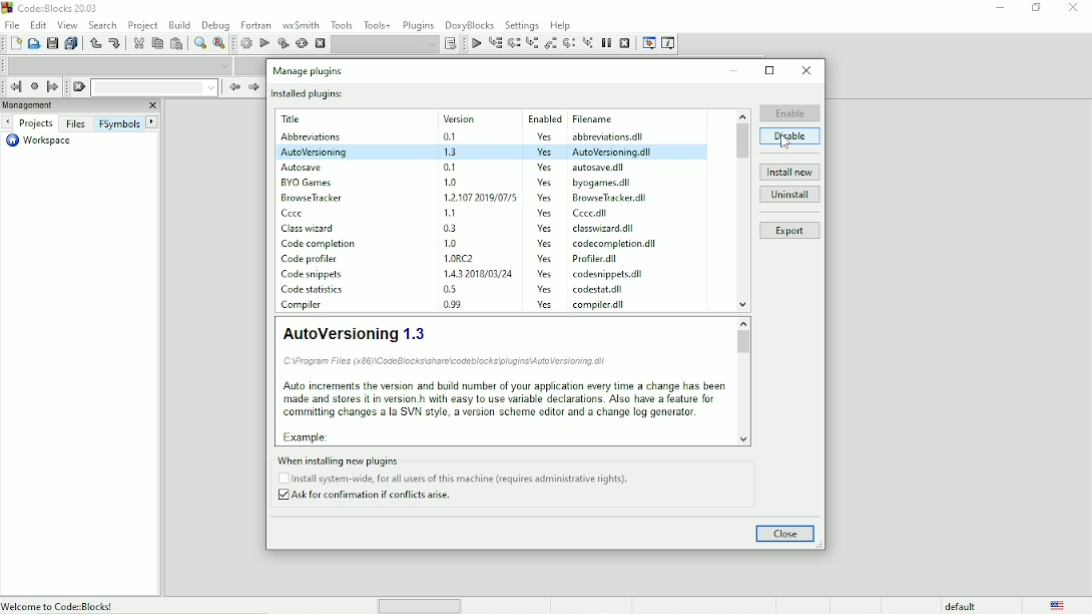 The width and height of the screenshot is (1092, 614). Describe the element at coordinates (308, 137) in the screenshot. I see `Abbreviations` at that location.